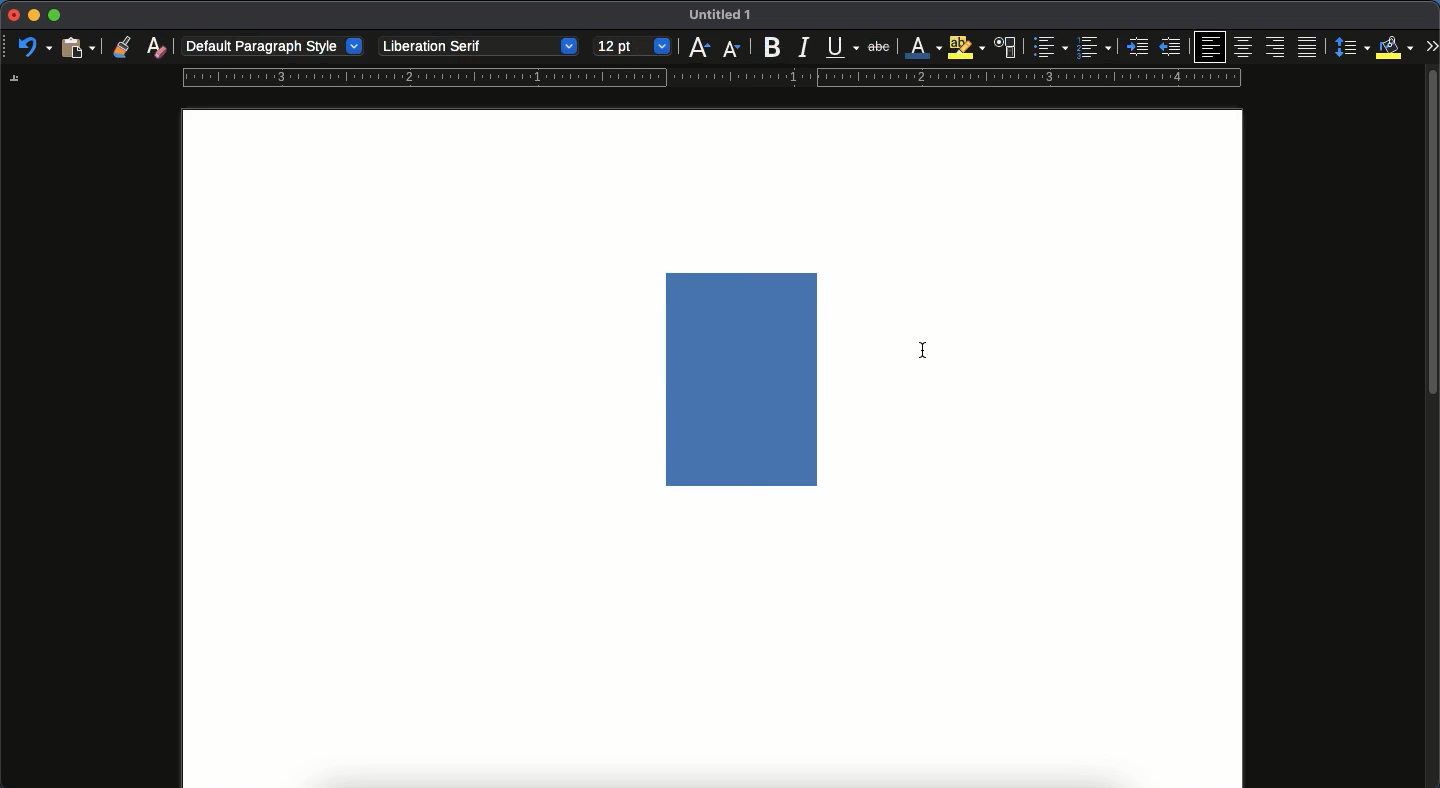 Image resolution: width=1440 pixels, height=788 pixels. Describe the element at coordinates (1395, 46) in the screenshot. I see `fill color ` at that location.